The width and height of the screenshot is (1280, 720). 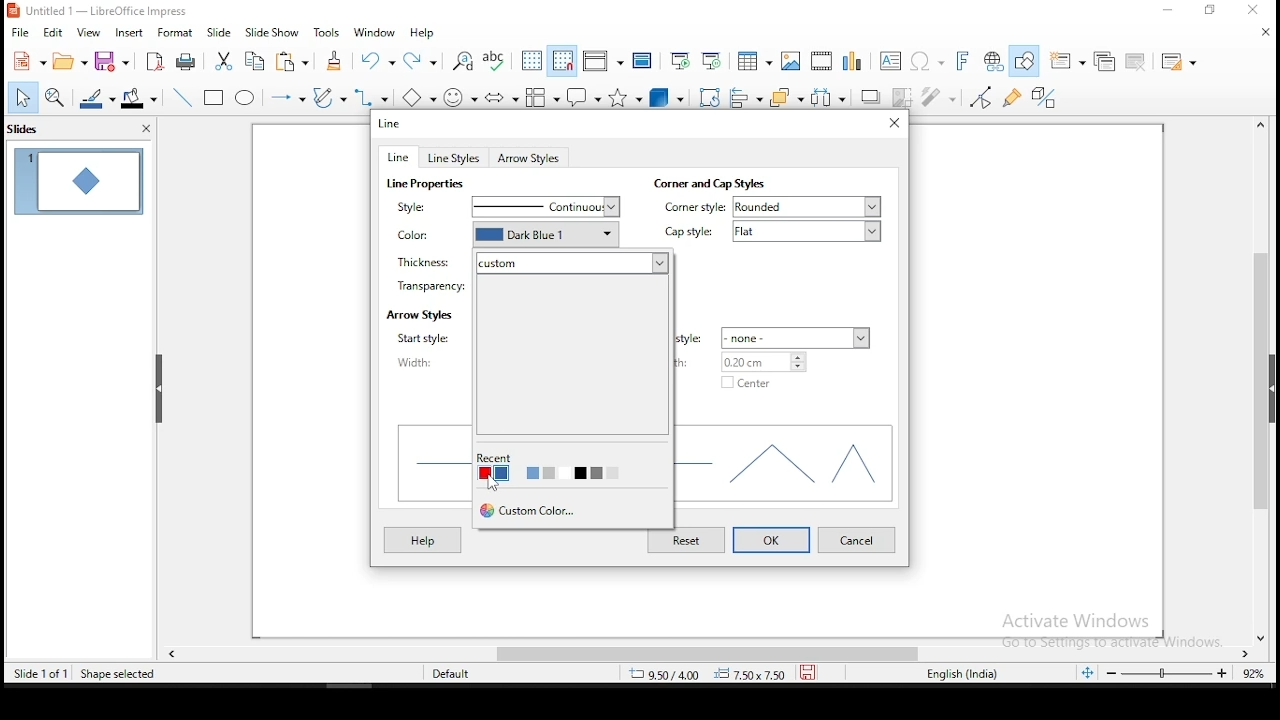 I want to click on save, so click(x=807, y=671).